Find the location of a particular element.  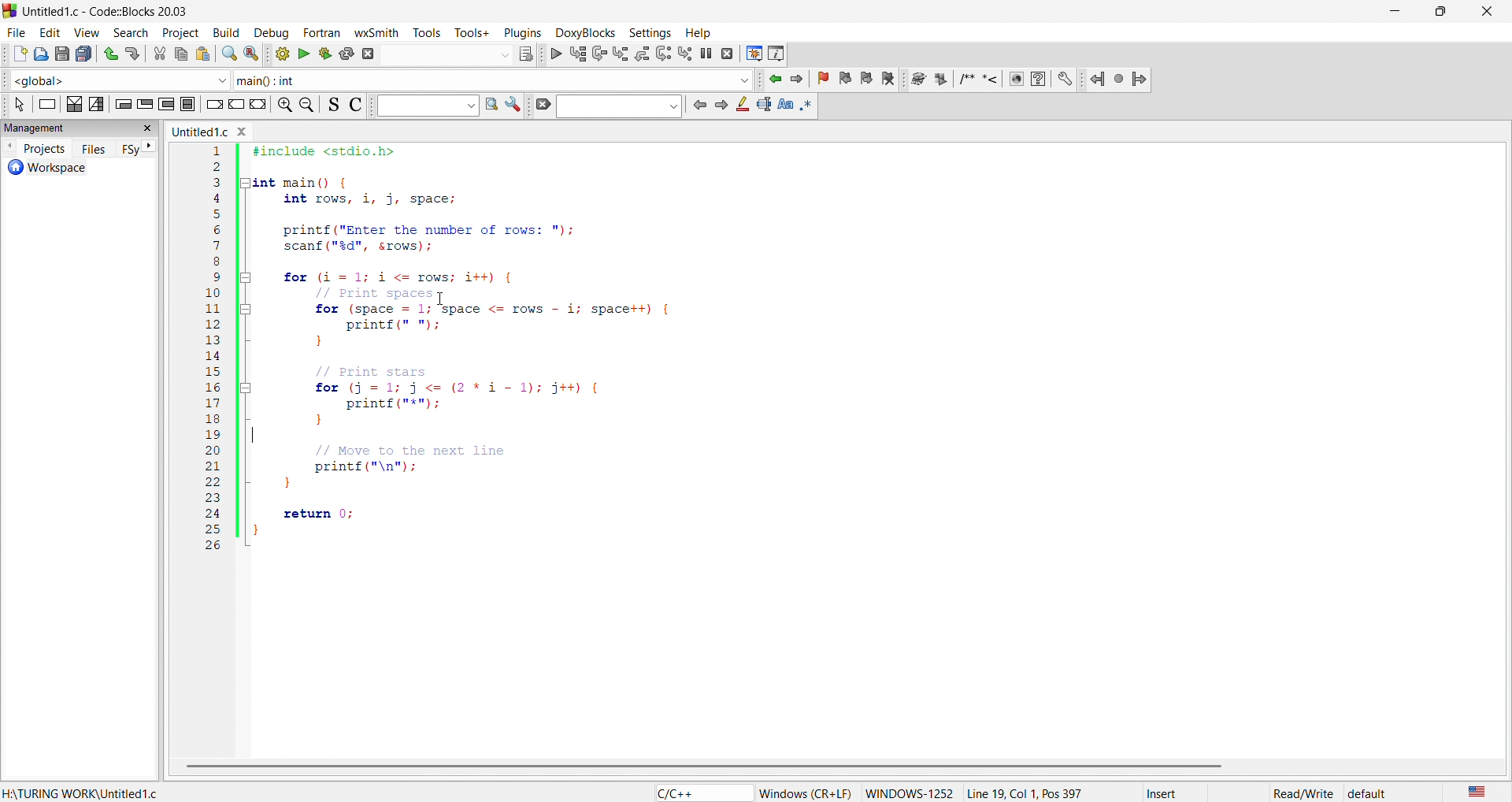

highlight is located at coordinates (740, 105).